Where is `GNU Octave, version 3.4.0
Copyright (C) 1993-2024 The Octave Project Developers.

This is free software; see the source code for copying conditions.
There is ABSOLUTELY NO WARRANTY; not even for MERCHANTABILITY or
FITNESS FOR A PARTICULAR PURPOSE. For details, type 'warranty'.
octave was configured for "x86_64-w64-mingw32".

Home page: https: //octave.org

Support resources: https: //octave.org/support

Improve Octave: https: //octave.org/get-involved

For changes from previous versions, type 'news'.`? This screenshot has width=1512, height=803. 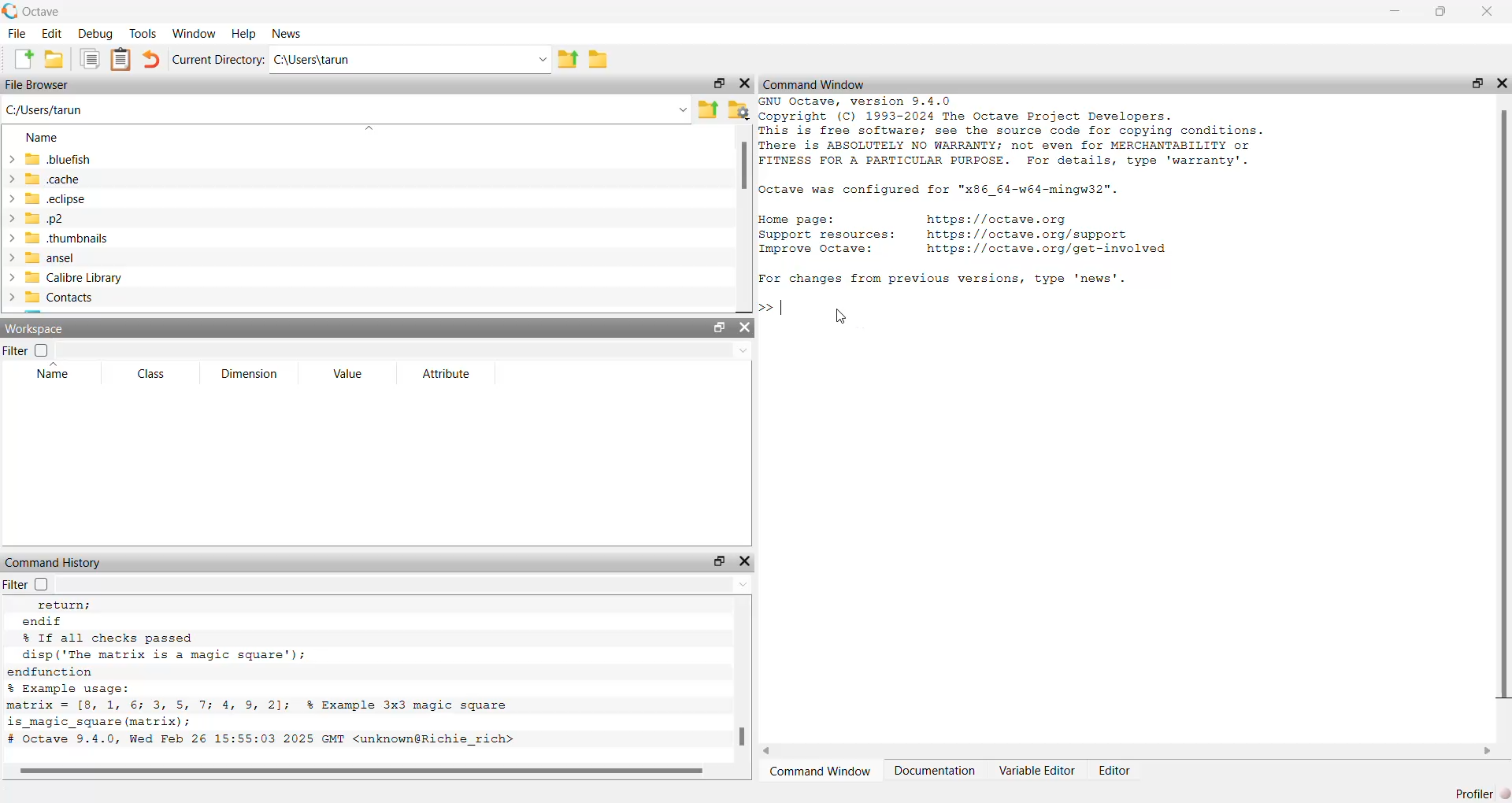
GNU Octave, version 3.4.0
Copyright (C) 1993-2024 The Octave Project Developers.

This is free software; see the source code for copying conditions.
There is ABSOLUTELY NO WARRANTY; not even for MERCHANTABILITY or
FITNESS FOR A PARTICULAR PURPOSE. For details, type 'warranty'.
octave was configured for "x86_64-w64-mingw32".

Home page: https: //octave.org

Support resources: https: //octave.org/support

Improve Octave: https: //octave.org/get-involved

For changes from previous versions, type 'news'. is located at coordinates (1013, 193).